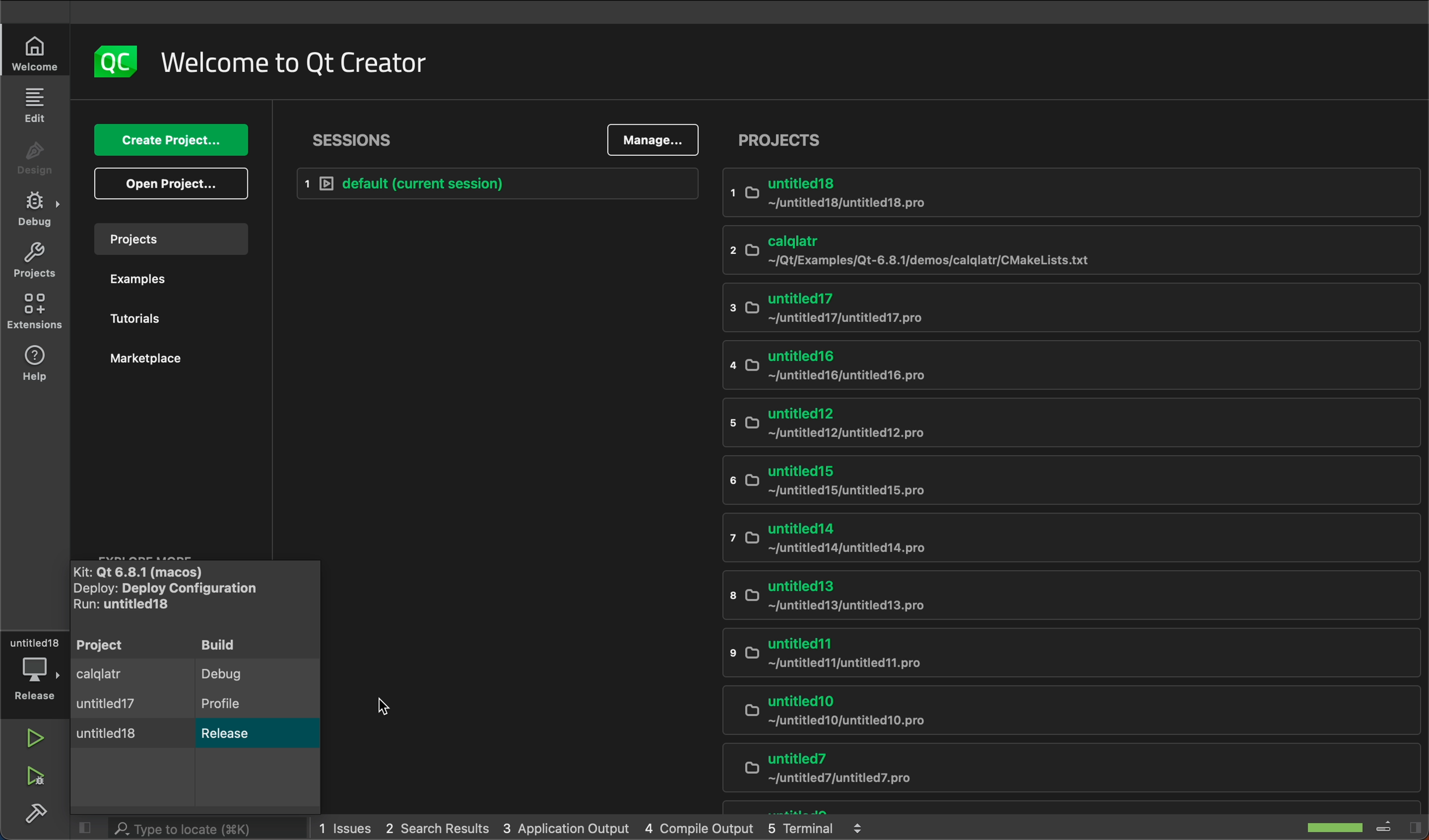  I want to click on open, so click(167, 185).